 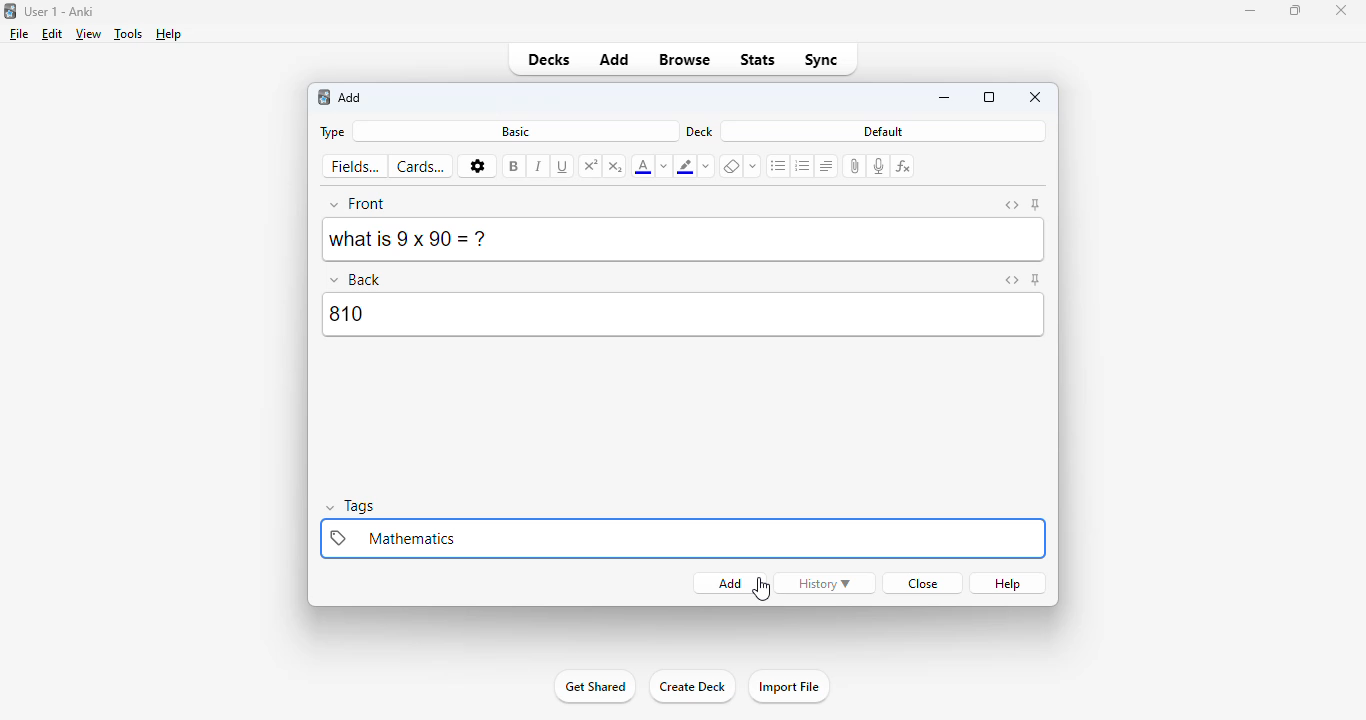 What do you see at coordinates (421, 166) in the screenshot?
I see `cards` at bounding box center [421, 166].